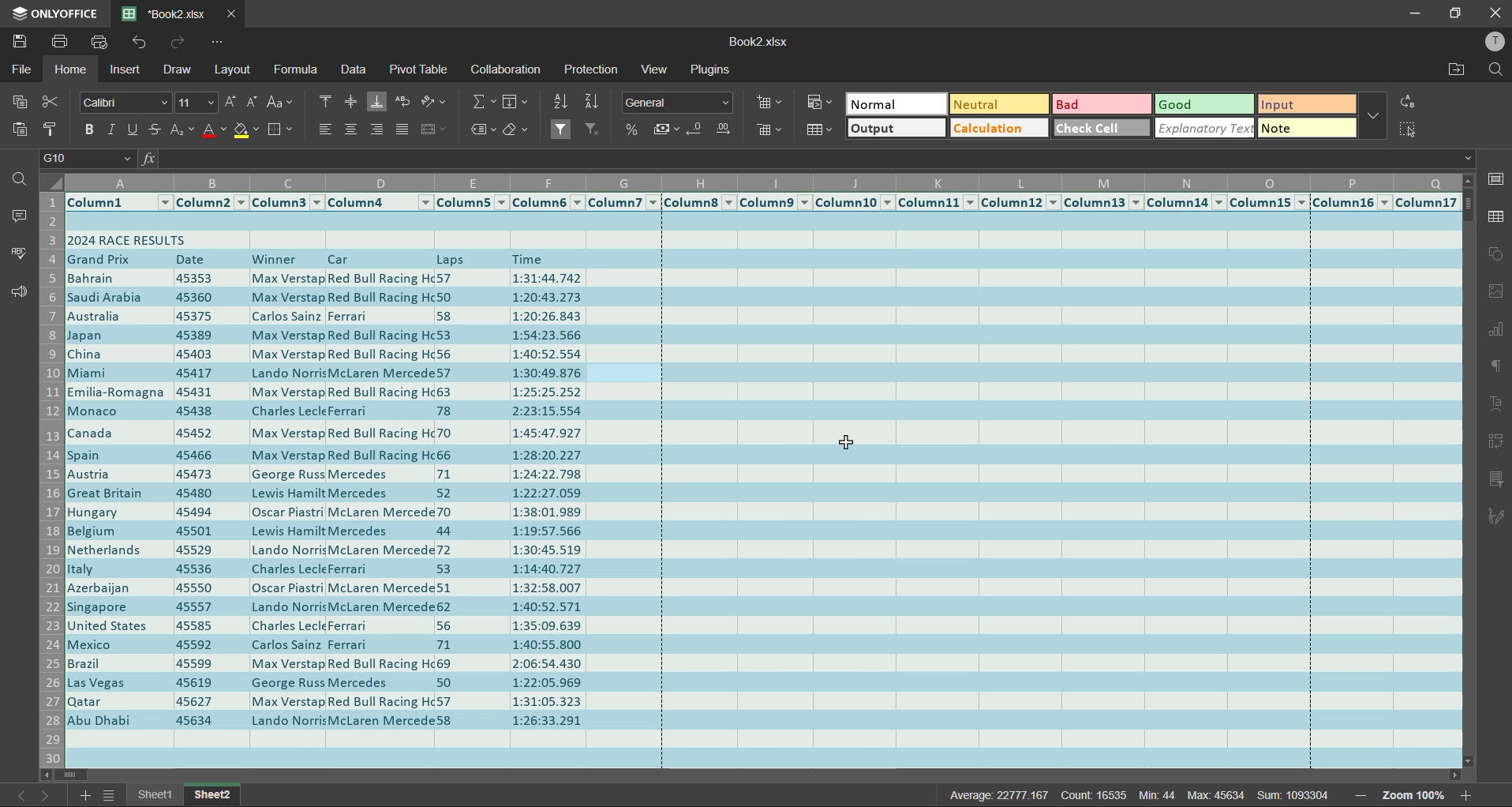 This screenshot has width=1512, height=807. I want to click on align bottom, so click(376, 103).